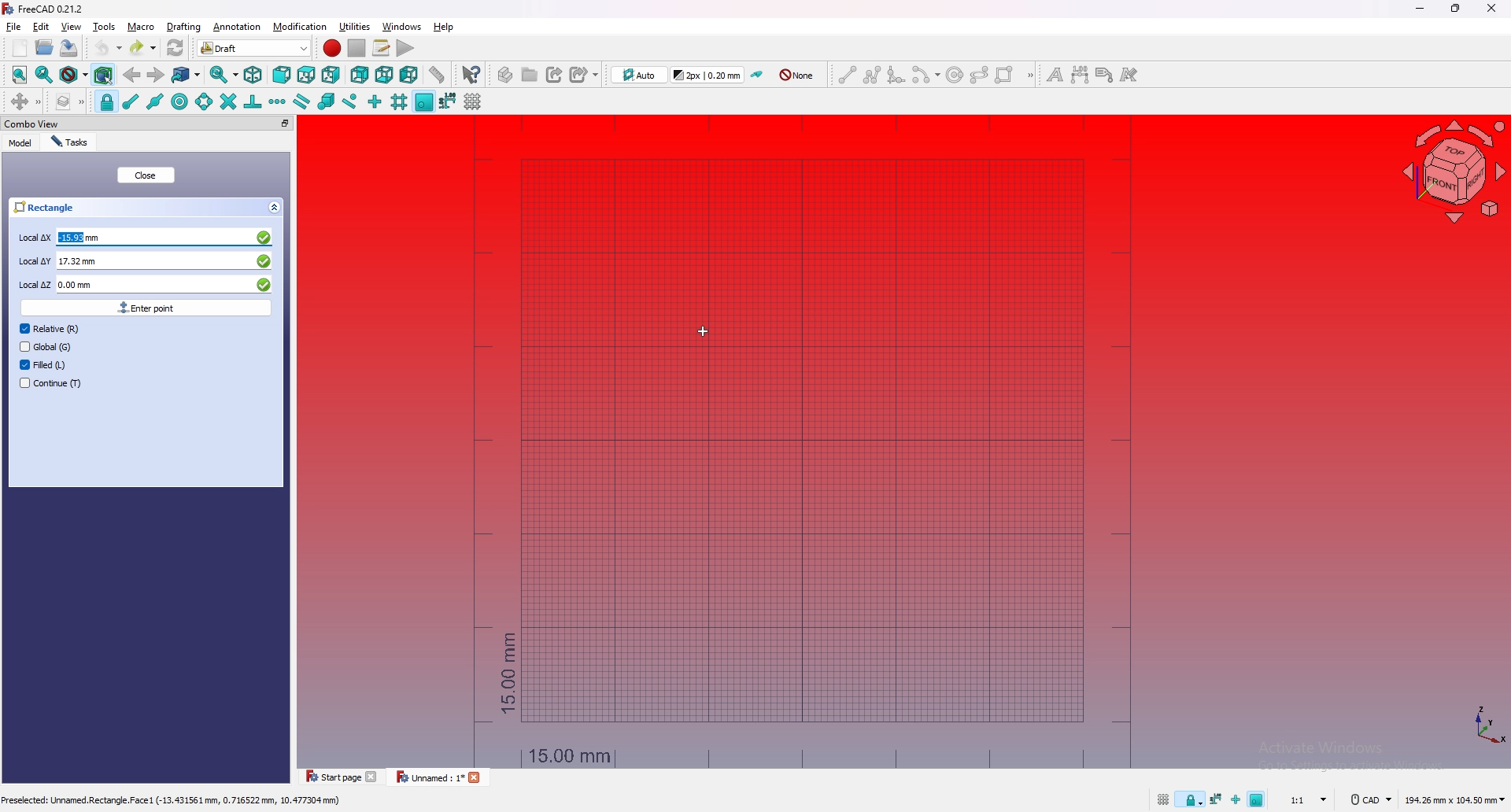  Describe the element at coordinates (130, 102) in the screenshot. I see `snap endpoint` at that location.